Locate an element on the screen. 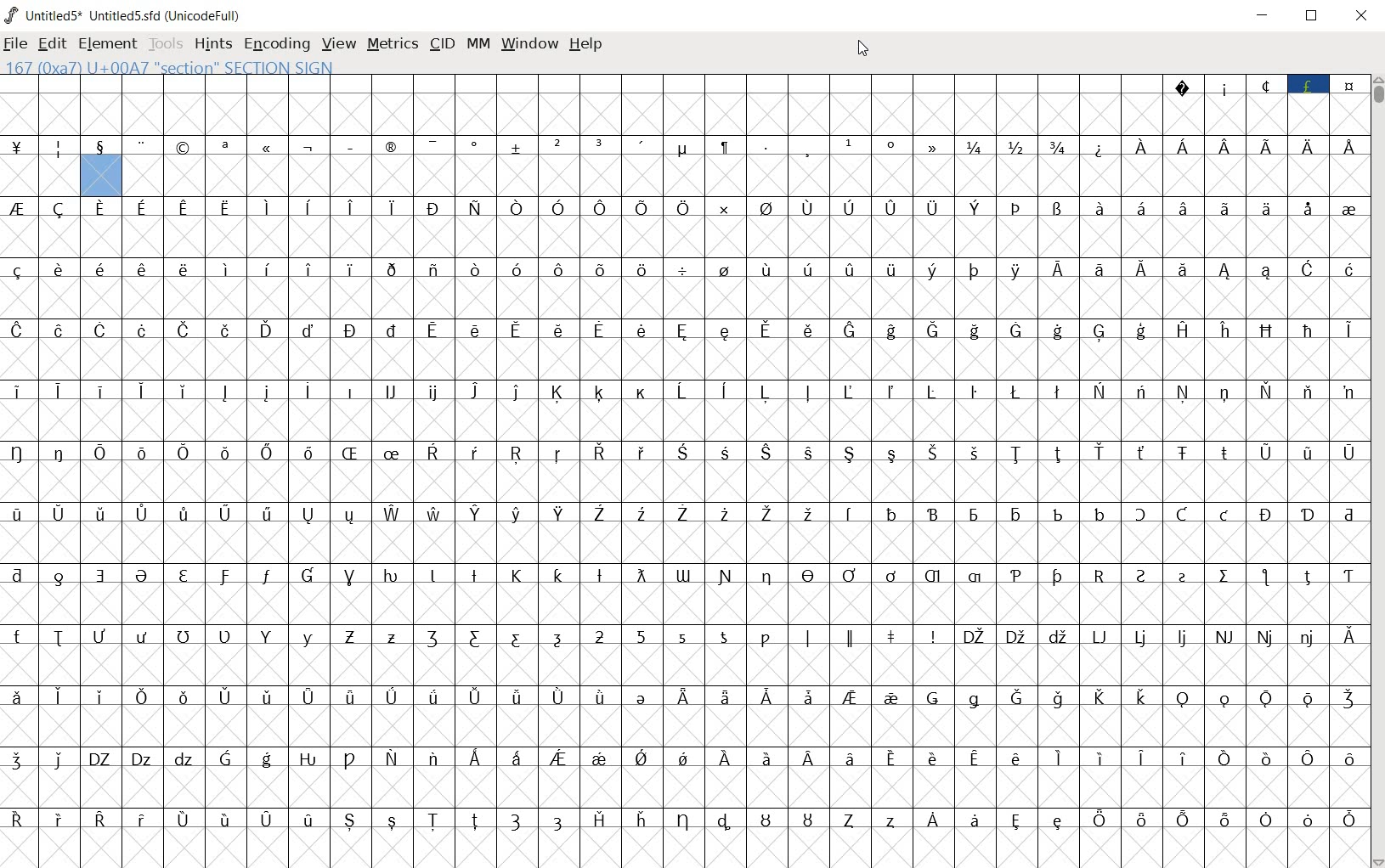  METRICS is located at coordinates (394, 45).